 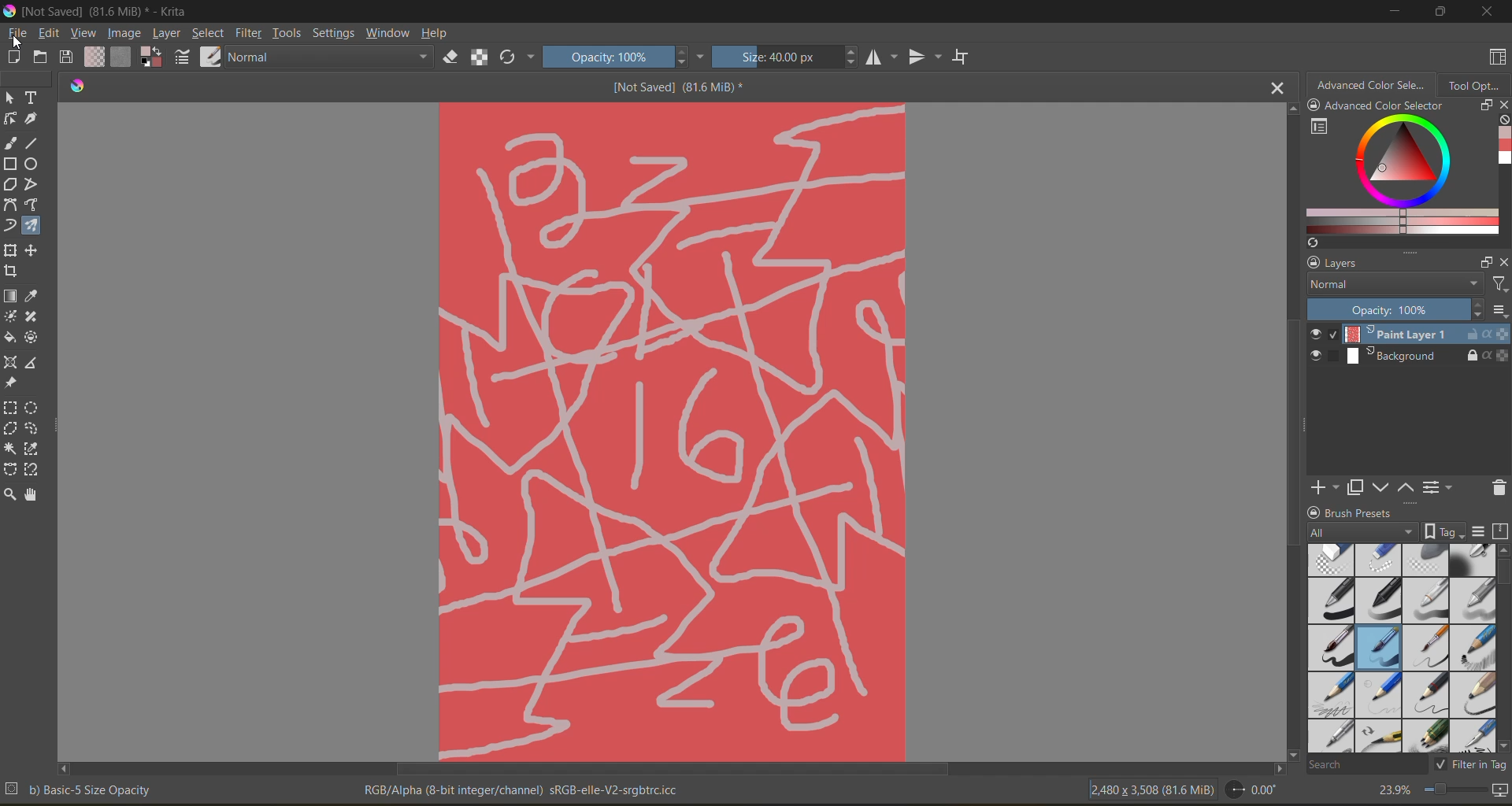 I want to click on layer, so click(x=1409, y=335).